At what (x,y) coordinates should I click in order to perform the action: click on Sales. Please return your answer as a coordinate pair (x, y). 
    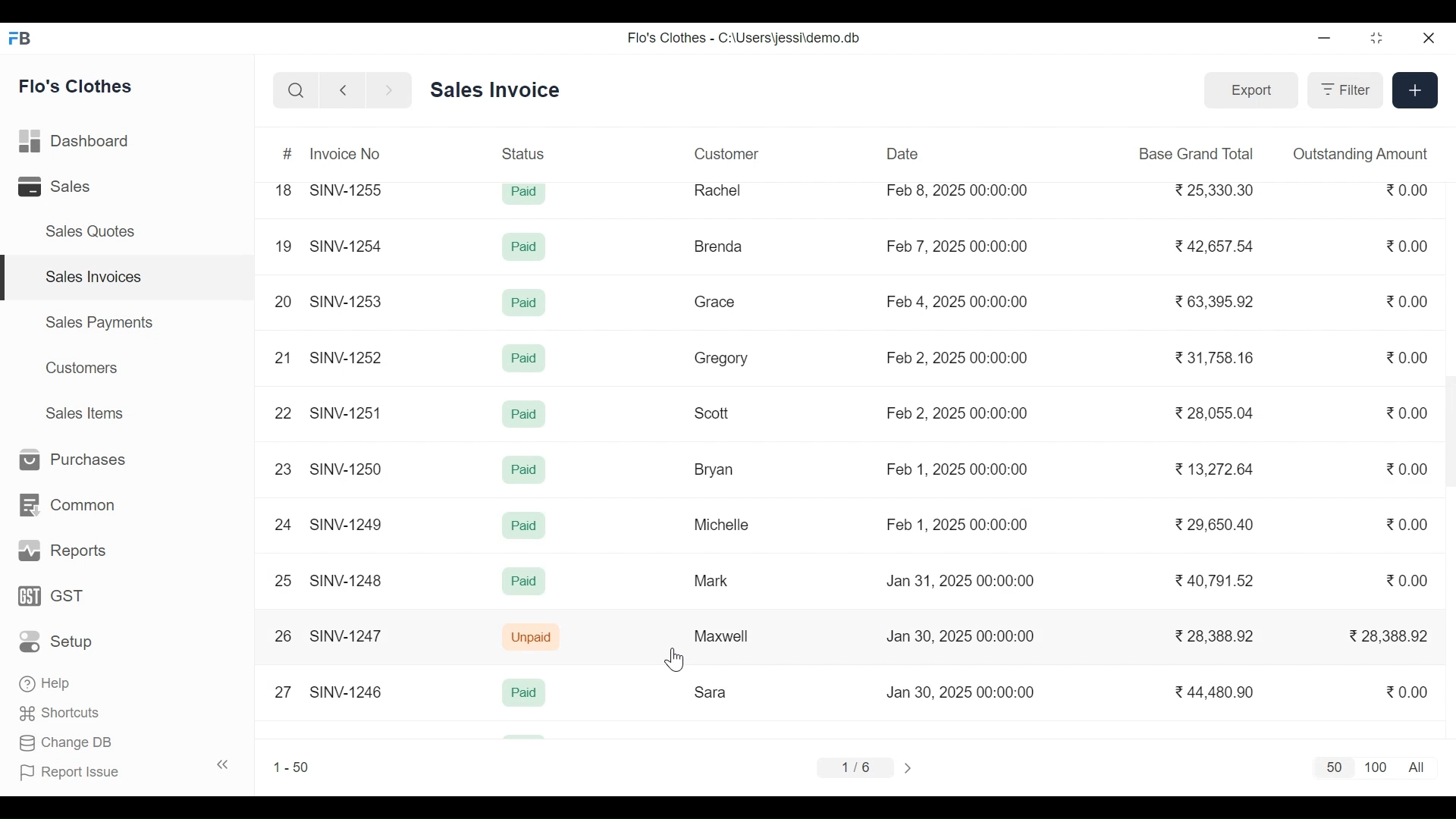
    Looking at the image, I should click on (58, 187).